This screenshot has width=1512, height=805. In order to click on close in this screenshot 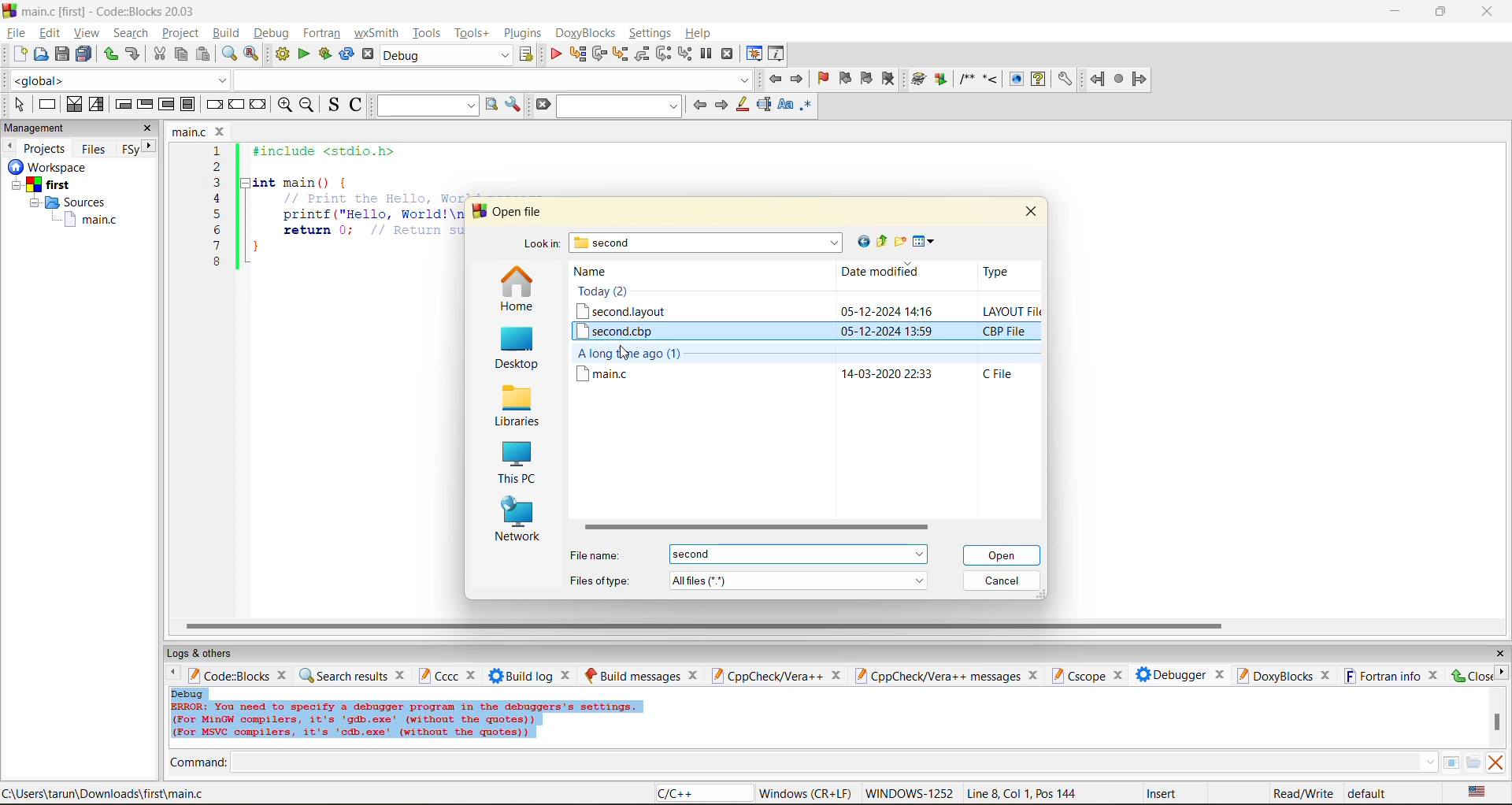, I will do `click(473, 676)`.